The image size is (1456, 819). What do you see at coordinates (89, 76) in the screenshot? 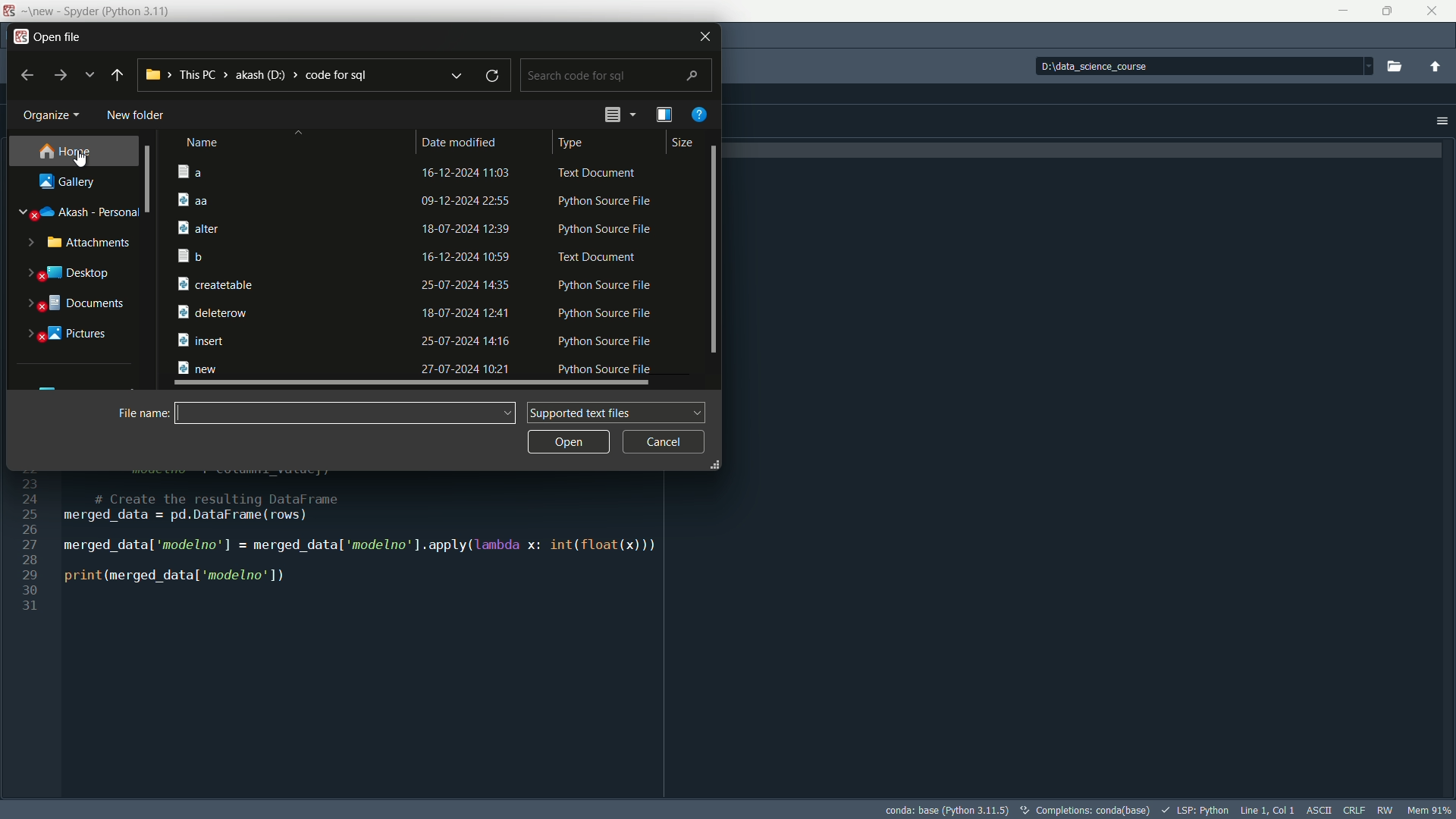
I see `recent locations` at bounding box center [89, 76].